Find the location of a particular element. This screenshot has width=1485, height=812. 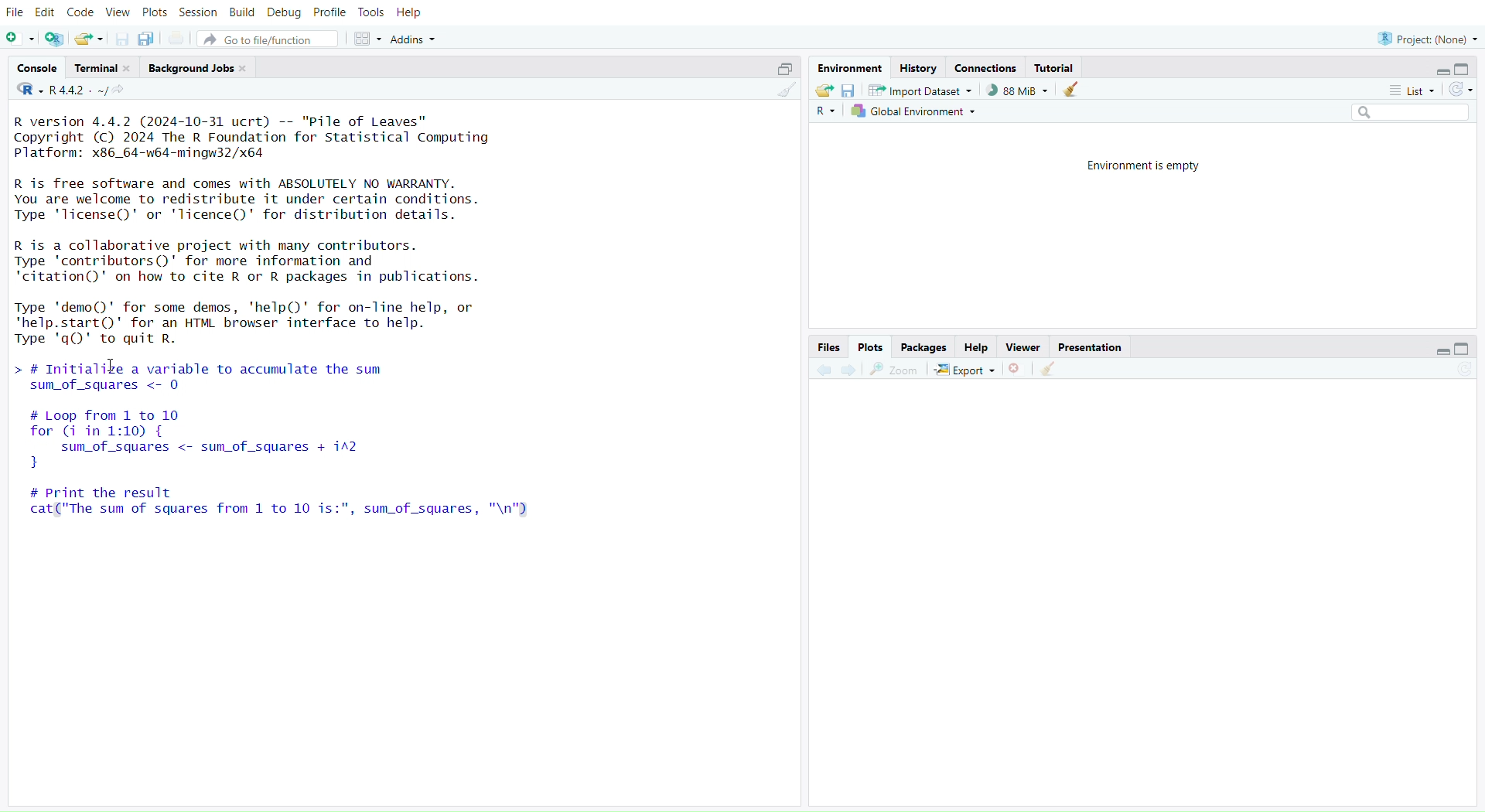

empty plot area is located at coordinates (1149, 592).